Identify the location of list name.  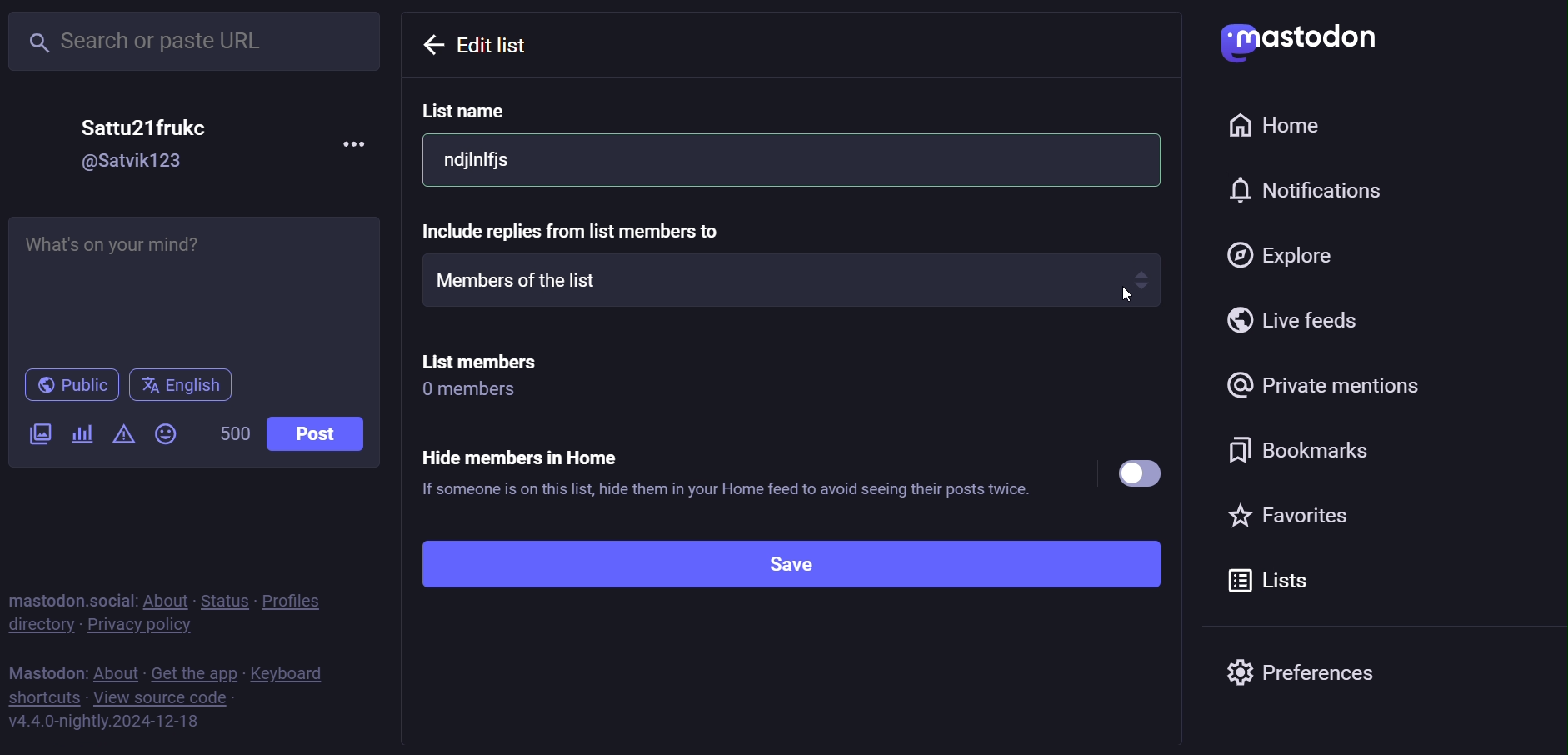
(469, 111).